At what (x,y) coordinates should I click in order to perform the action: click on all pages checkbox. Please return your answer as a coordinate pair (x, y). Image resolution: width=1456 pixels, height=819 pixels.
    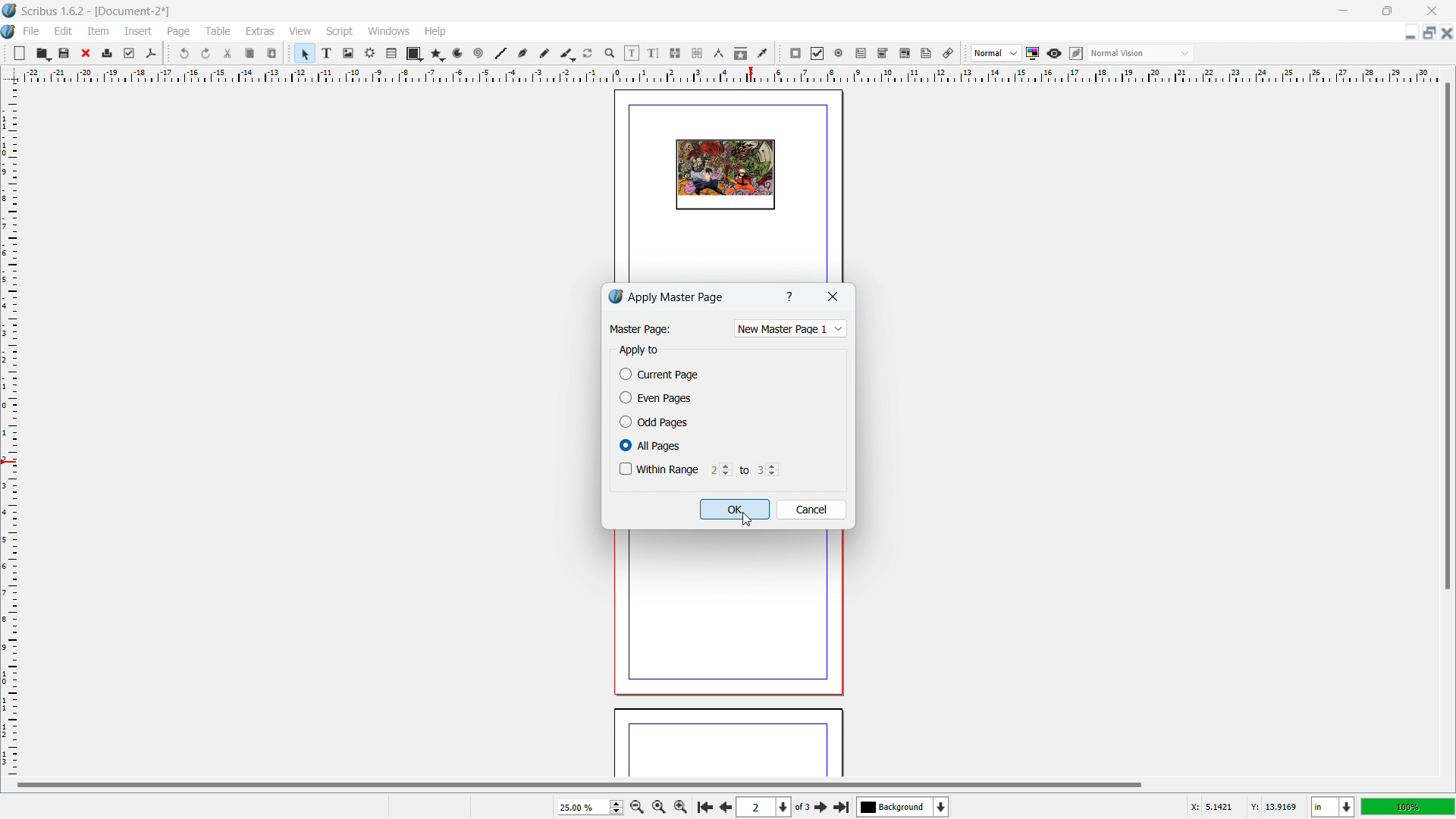
    Looking at the image, I should click on (652, 445).